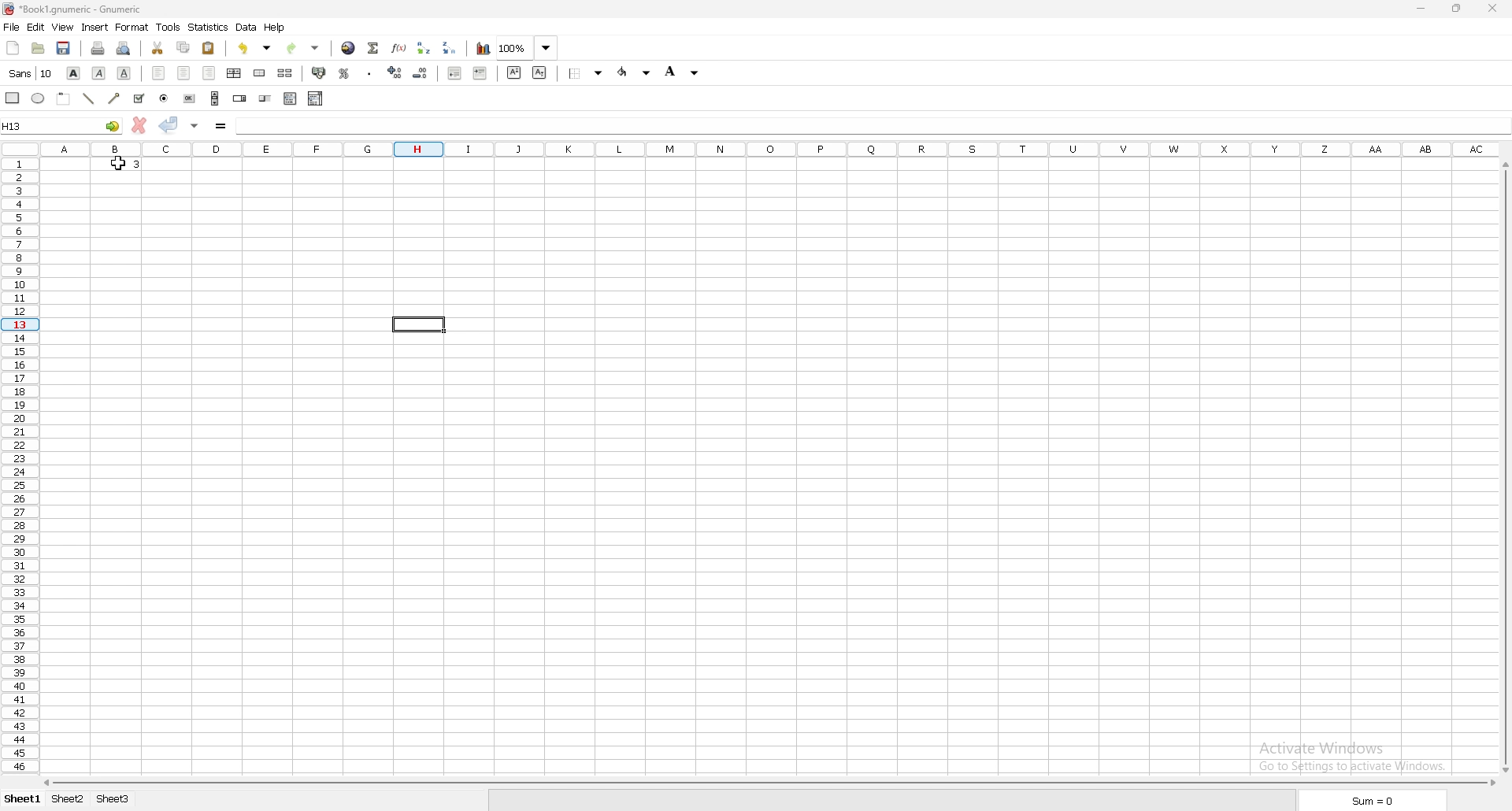  Describe the element at coordinates (159, 48) in the screenshot. I see `cut` at that location.